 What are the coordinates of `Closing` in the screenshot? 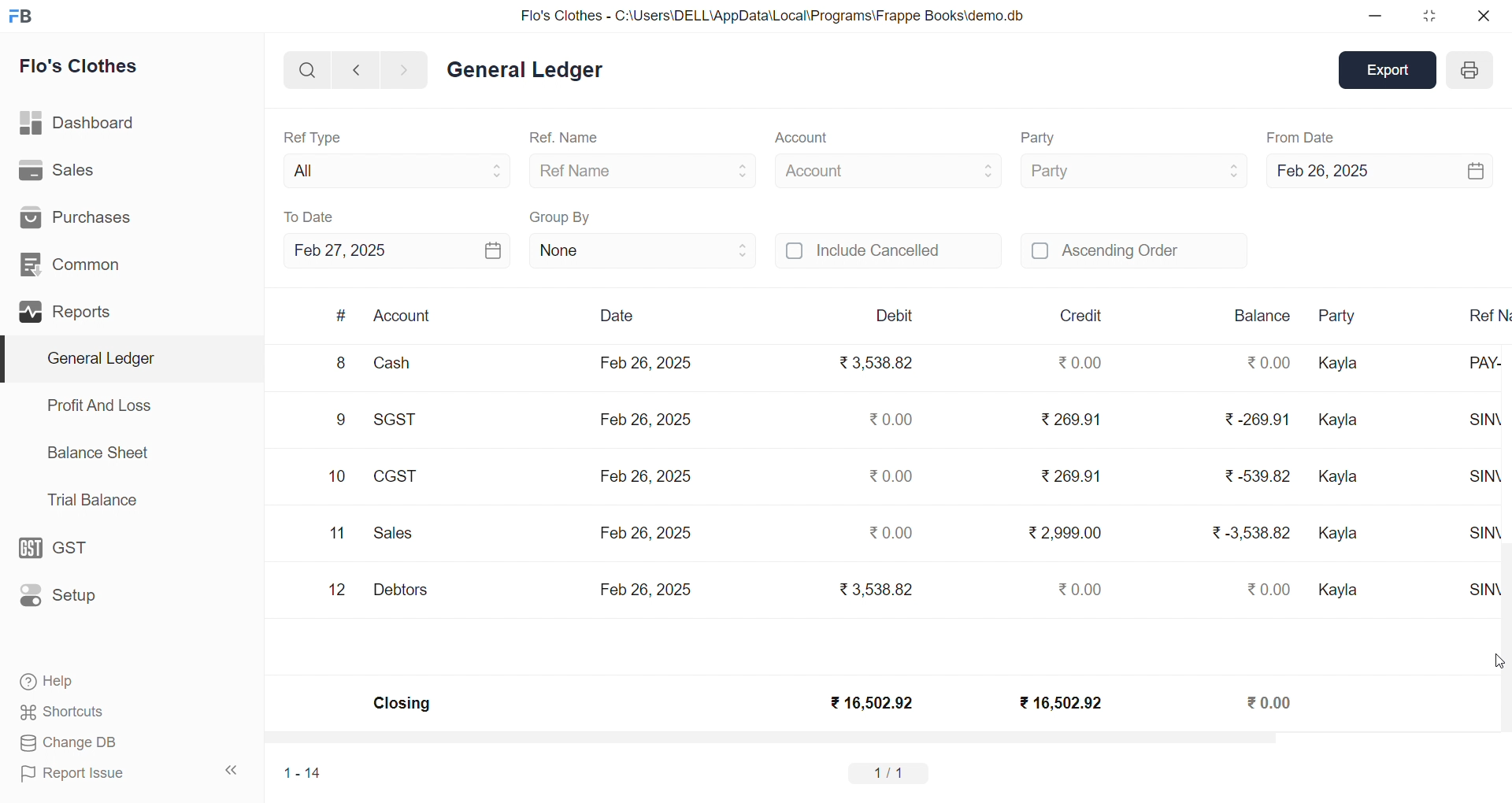 It's located at (403, 705).